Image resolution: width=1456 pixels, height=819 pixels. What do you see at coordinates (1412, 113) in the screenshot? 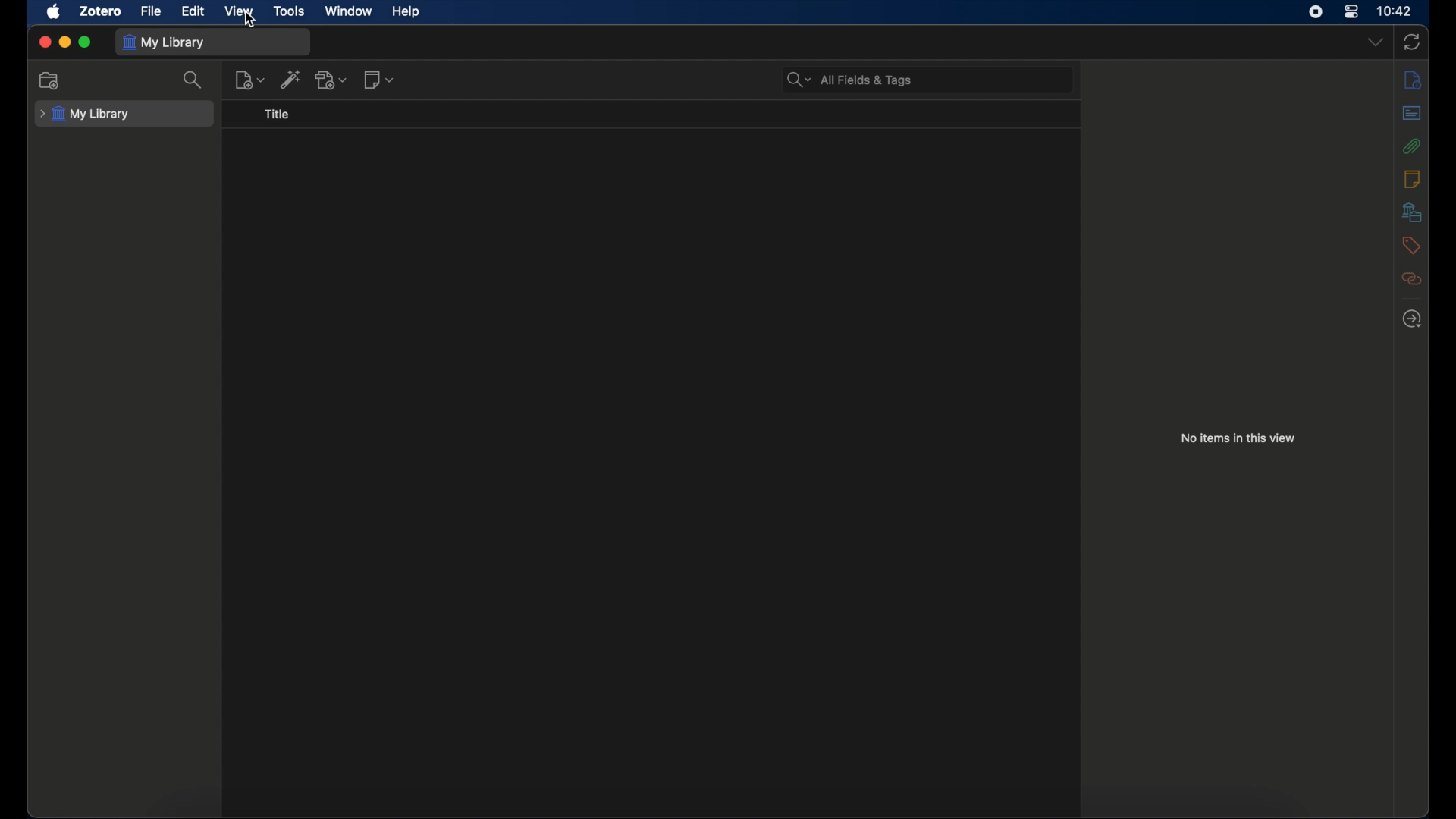
I see `abstract` at bounding box center [1412, 113].